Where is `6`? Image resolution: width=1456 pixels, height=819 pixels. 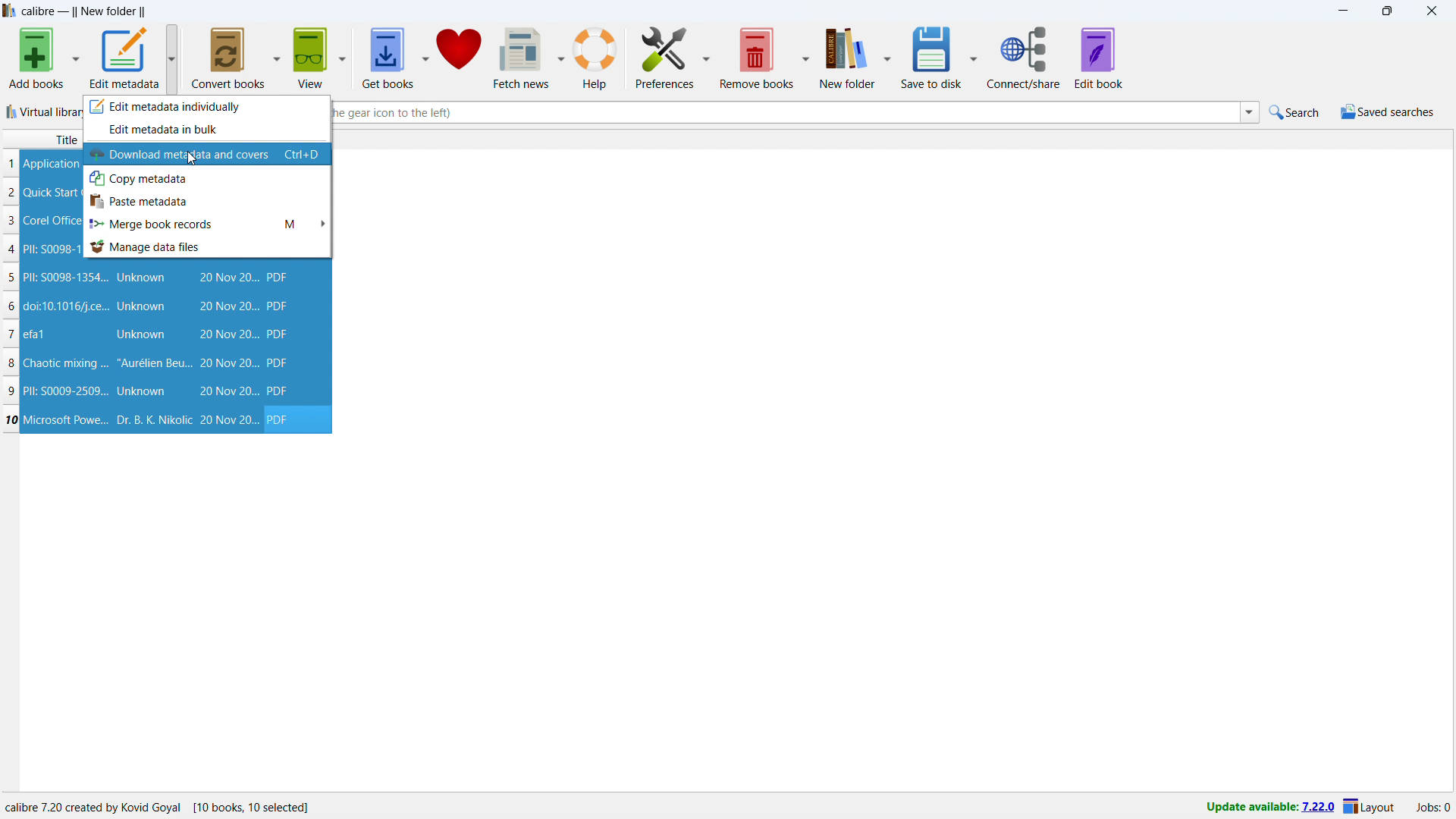
6 is located at coordinates (10, 307).